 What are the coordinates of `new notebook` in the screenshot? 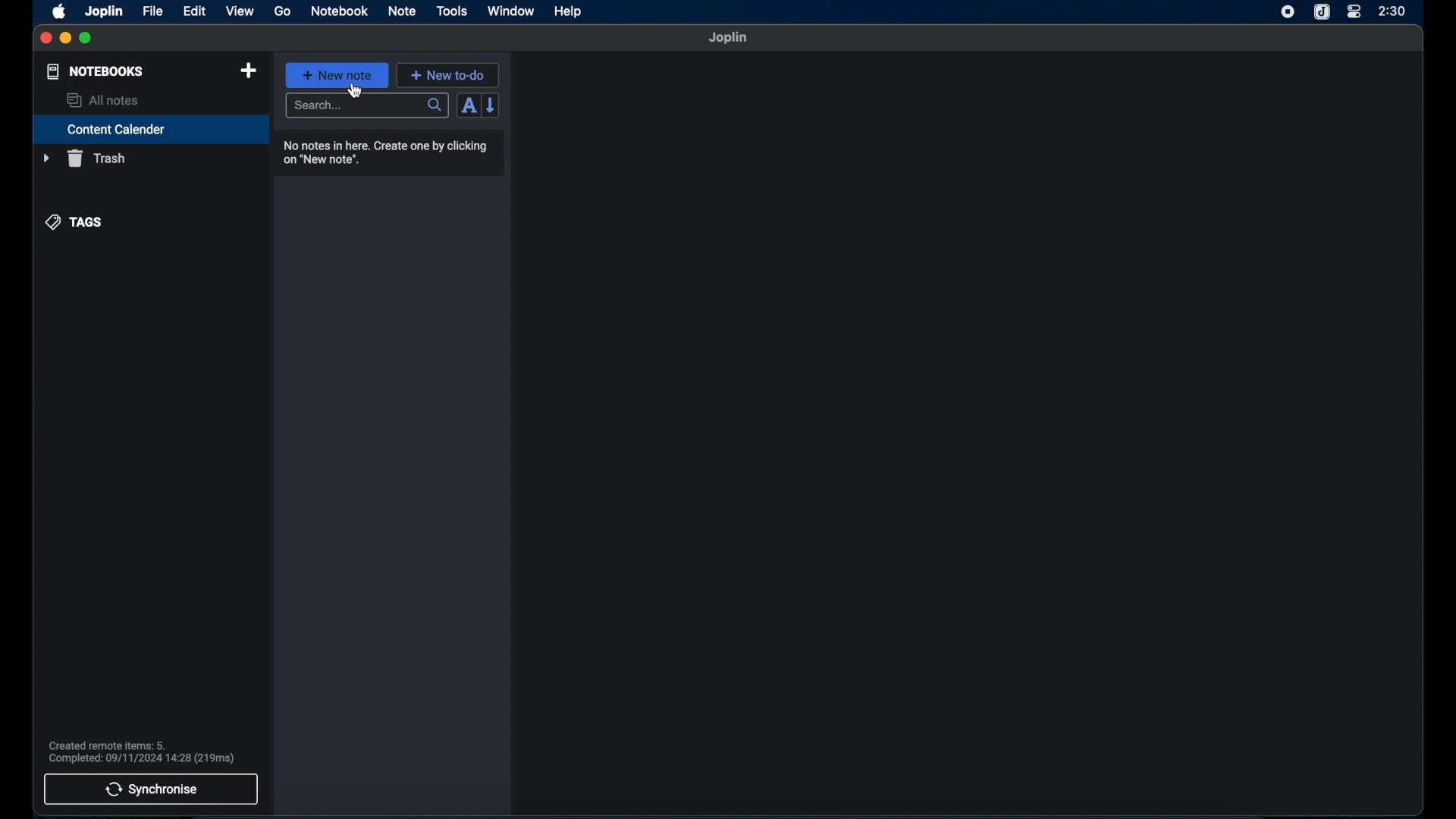 It's located at (249, 71).